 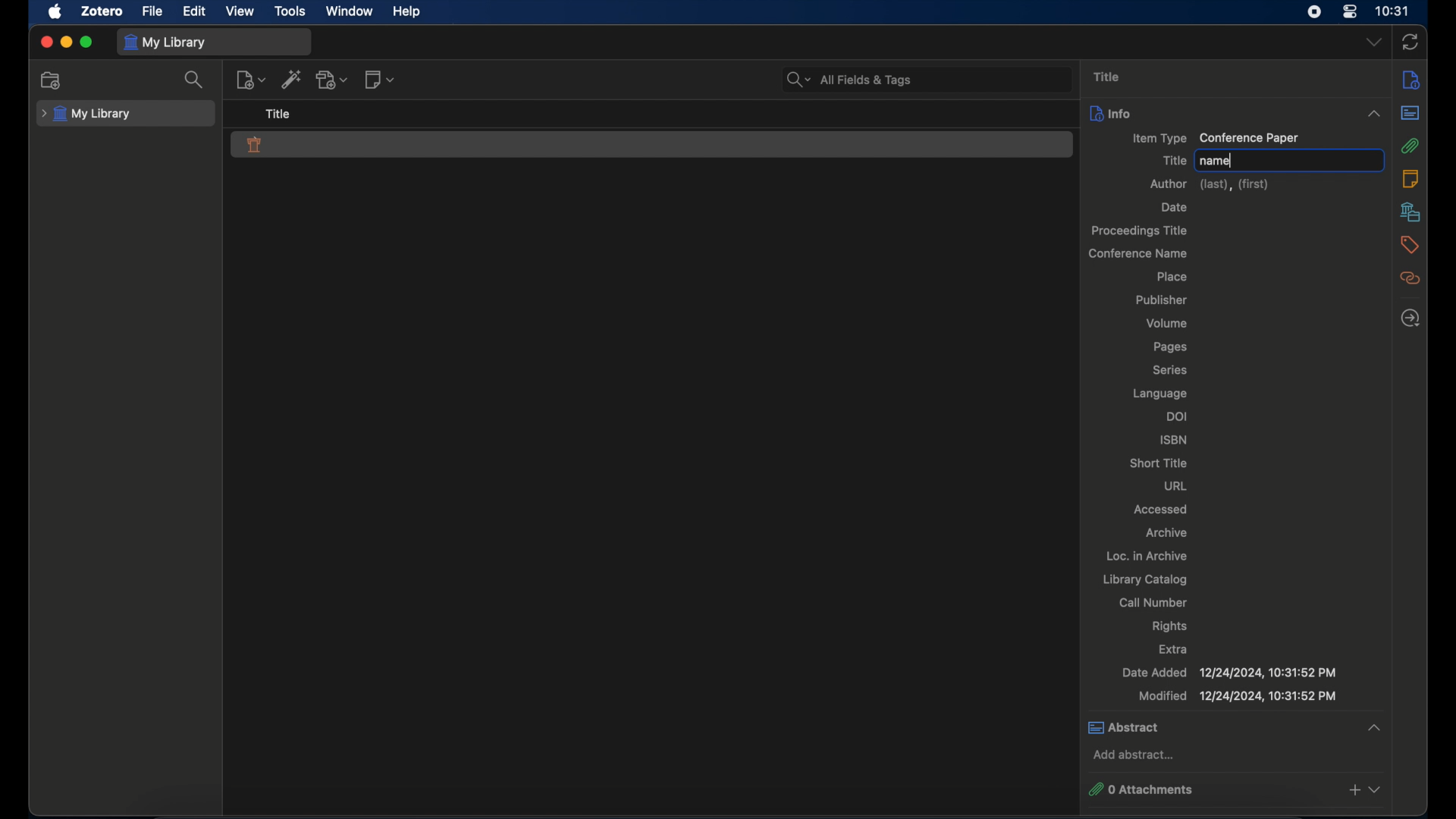 I want to click on window, so click(x=350, y=11).